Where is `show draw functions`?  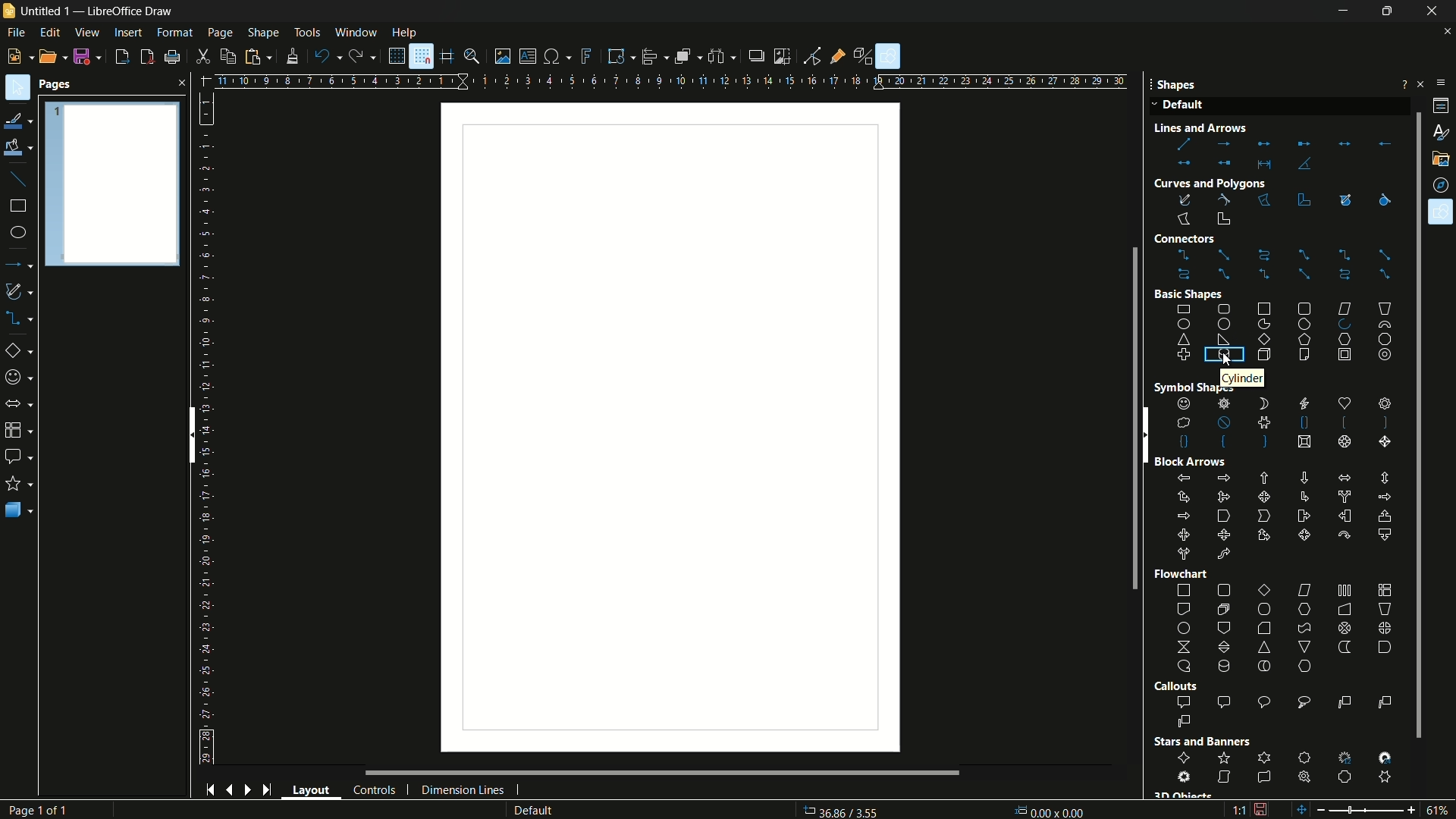 show draw functions is located at coordinates (887, 56).